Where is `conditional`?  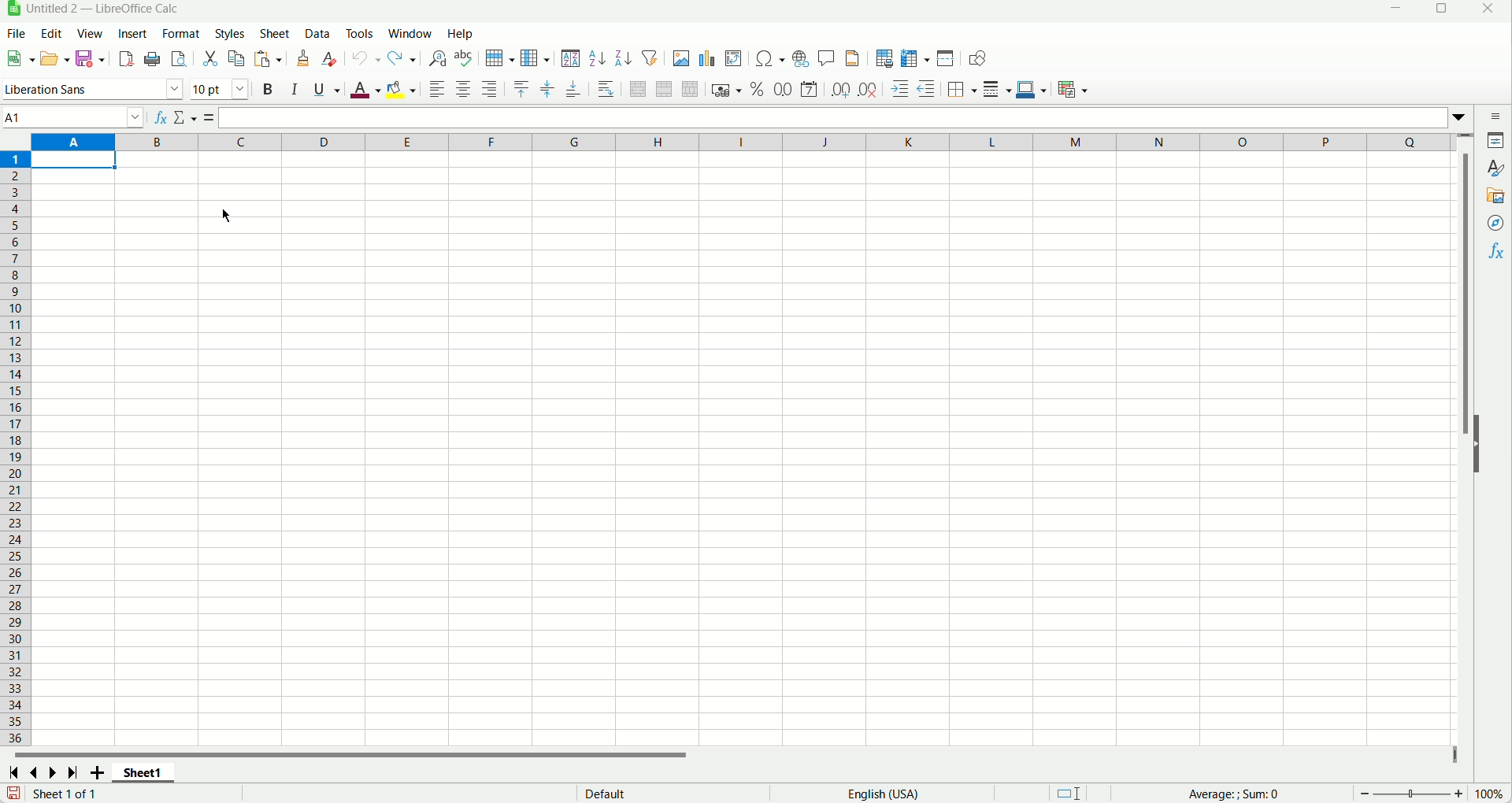
conditional is located at coordinates (1075, 88).